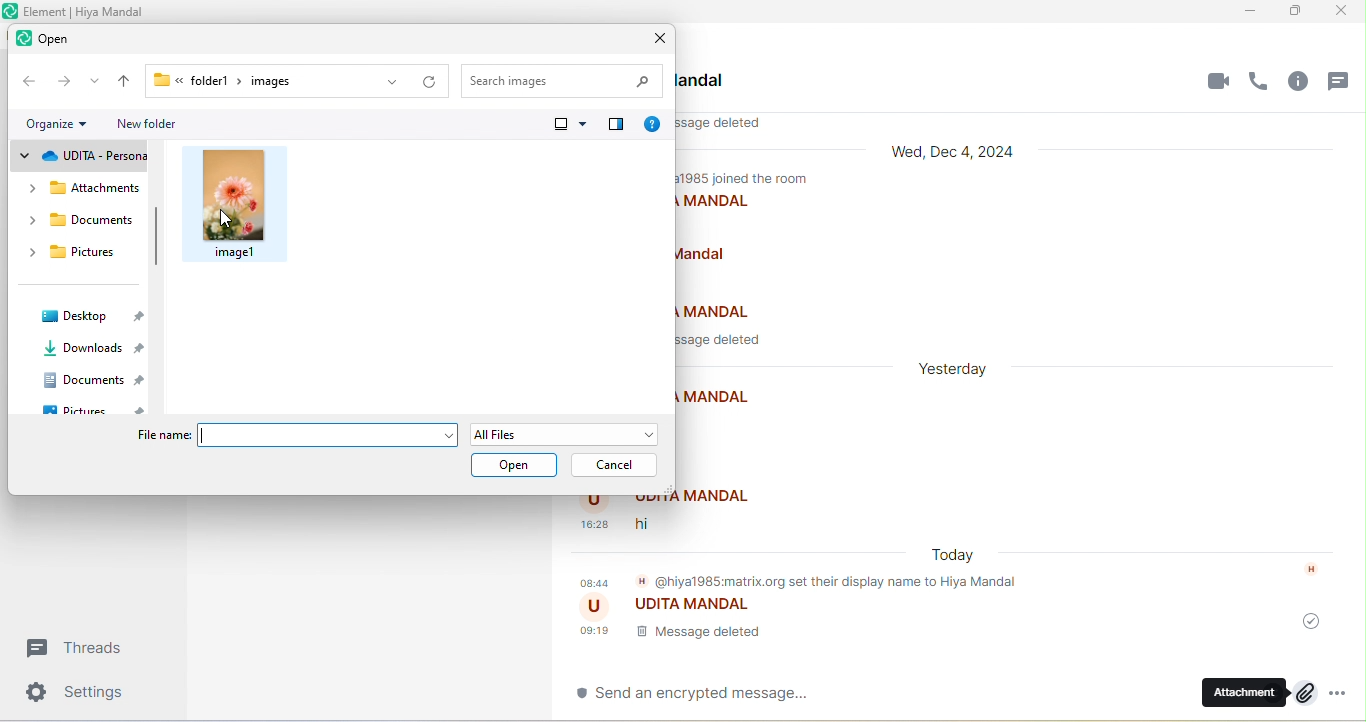 The height and width of the screenshot is (722, 1366). Describe the element at coordinates (1344, 84) in the screenshot. I see `threads` at that location.